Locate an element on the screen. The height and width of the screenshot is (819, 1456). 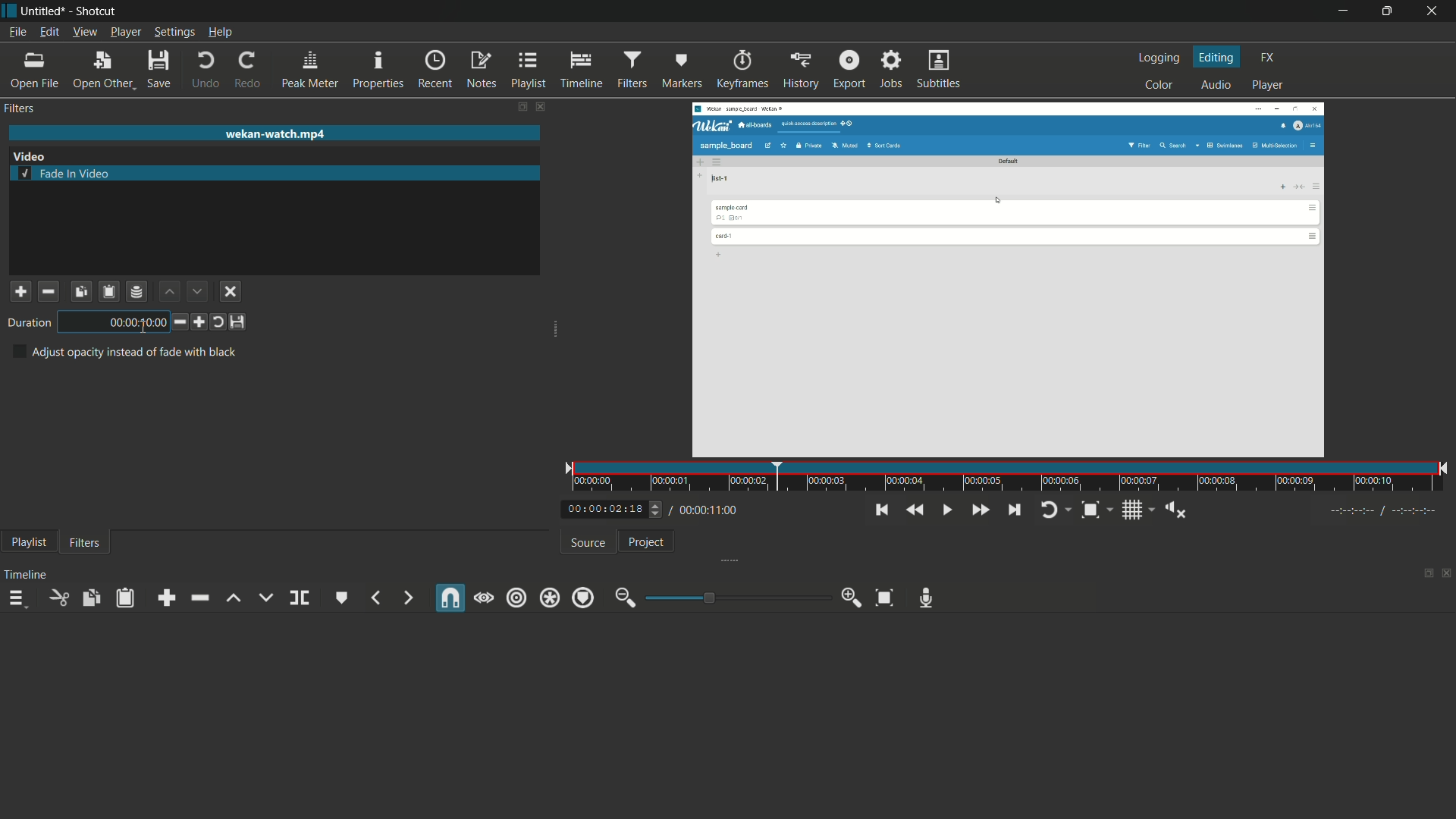
video is located at coordinates (30, 156).